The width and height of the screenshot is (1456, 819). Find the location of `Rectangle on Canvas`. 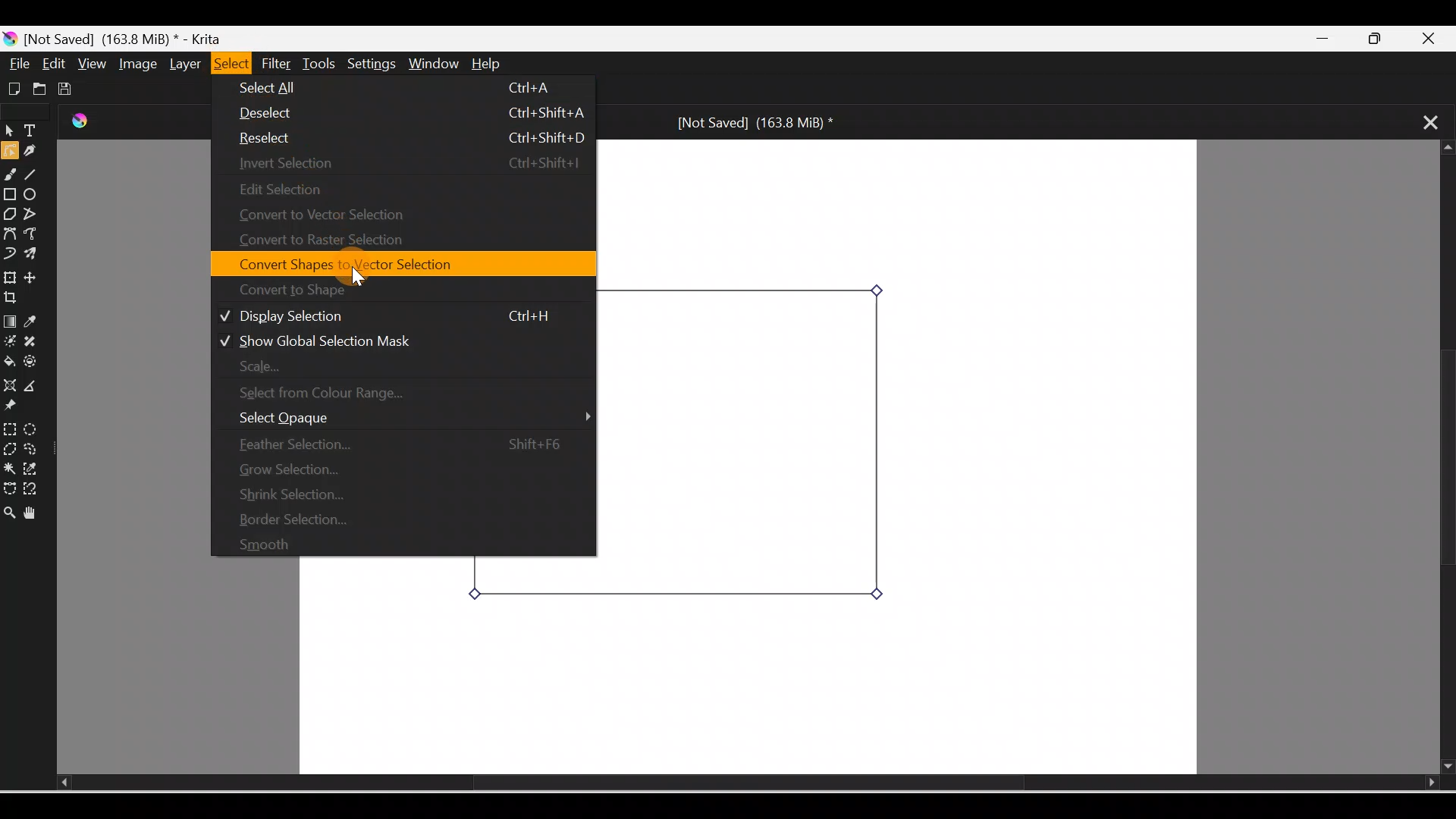

Rectangle on Canvas is located at coordinates (745, 444).